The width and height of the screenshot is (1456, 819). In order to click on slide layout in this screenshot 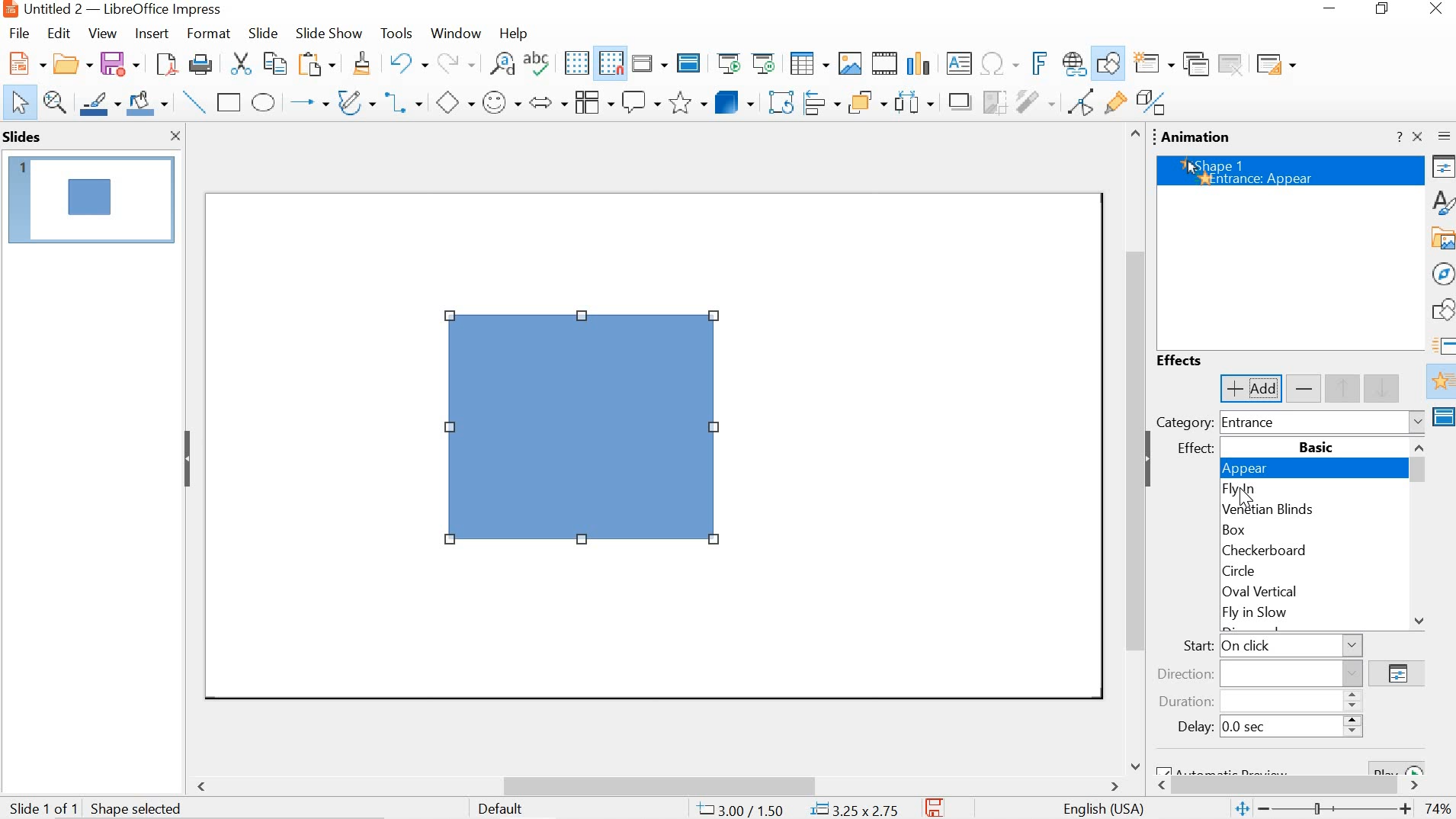, I will do `click(1275, 66)`.